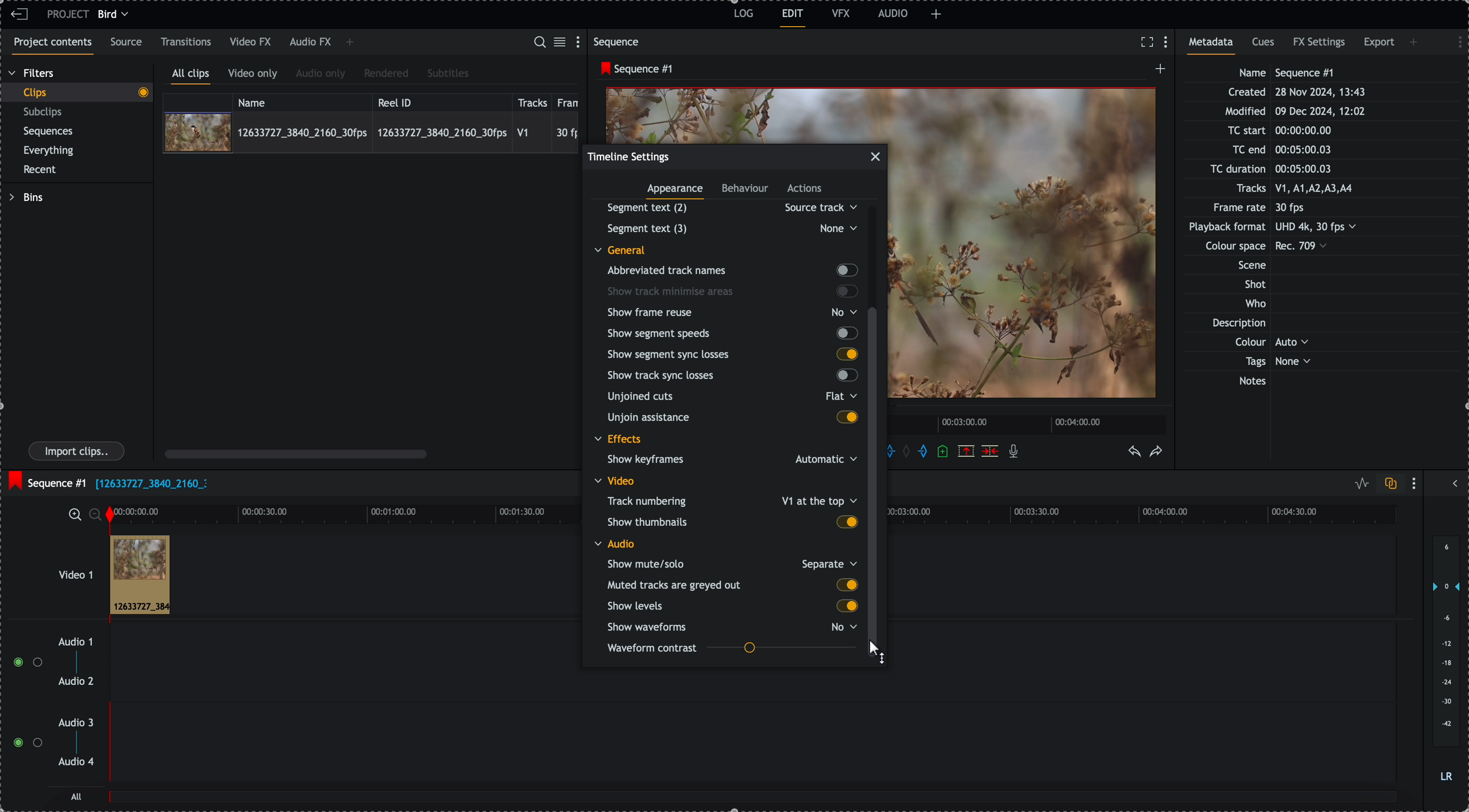 The height and width of the screenshot is (812, 1469). Describe the element at coordinates (732, 585) in the screenshot. I see `muted tracks are greyed out` at that location.